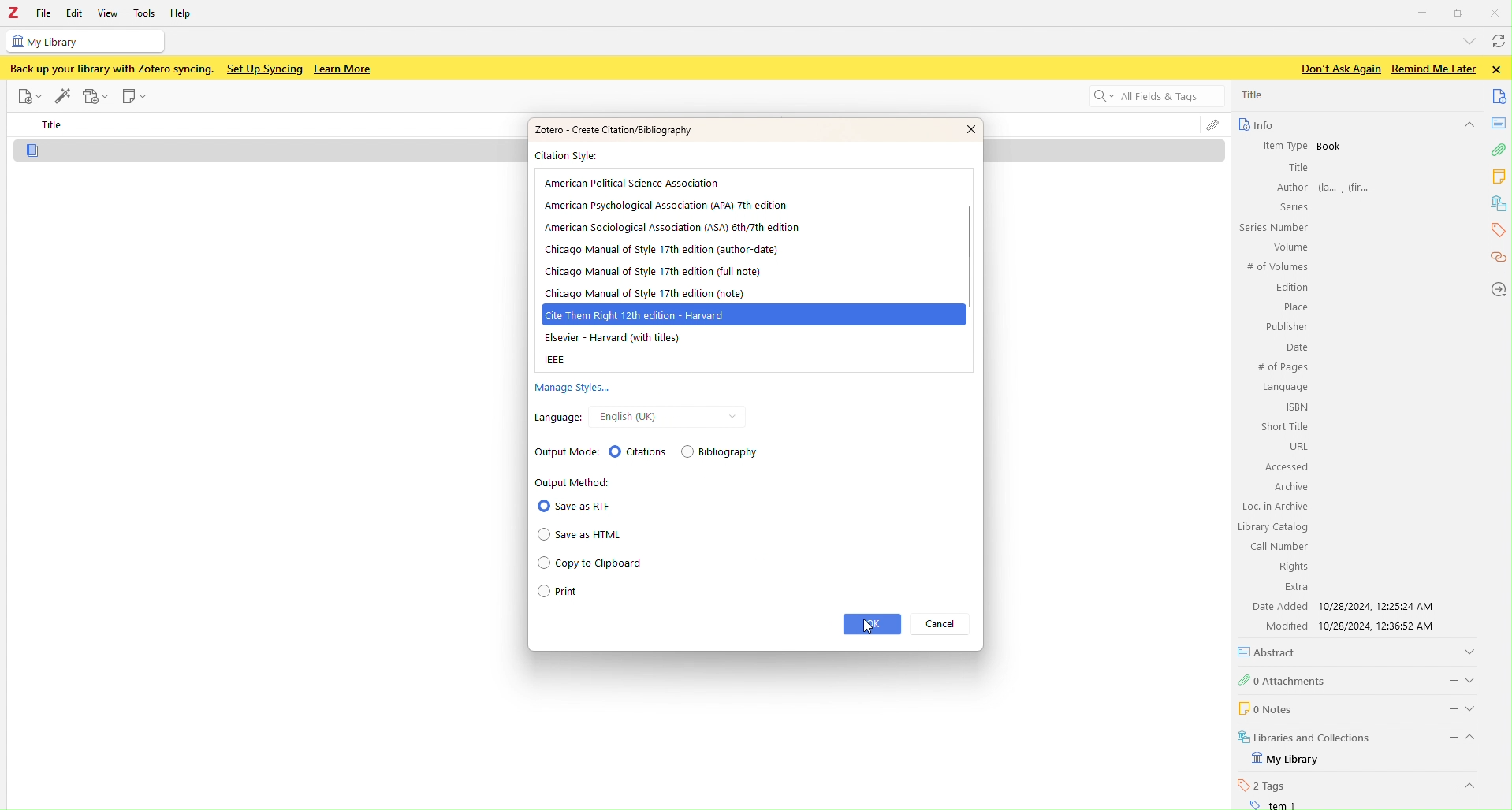 The height and width of the screenshot is (810, 1512). I want to click on location, so click(1497, 288).